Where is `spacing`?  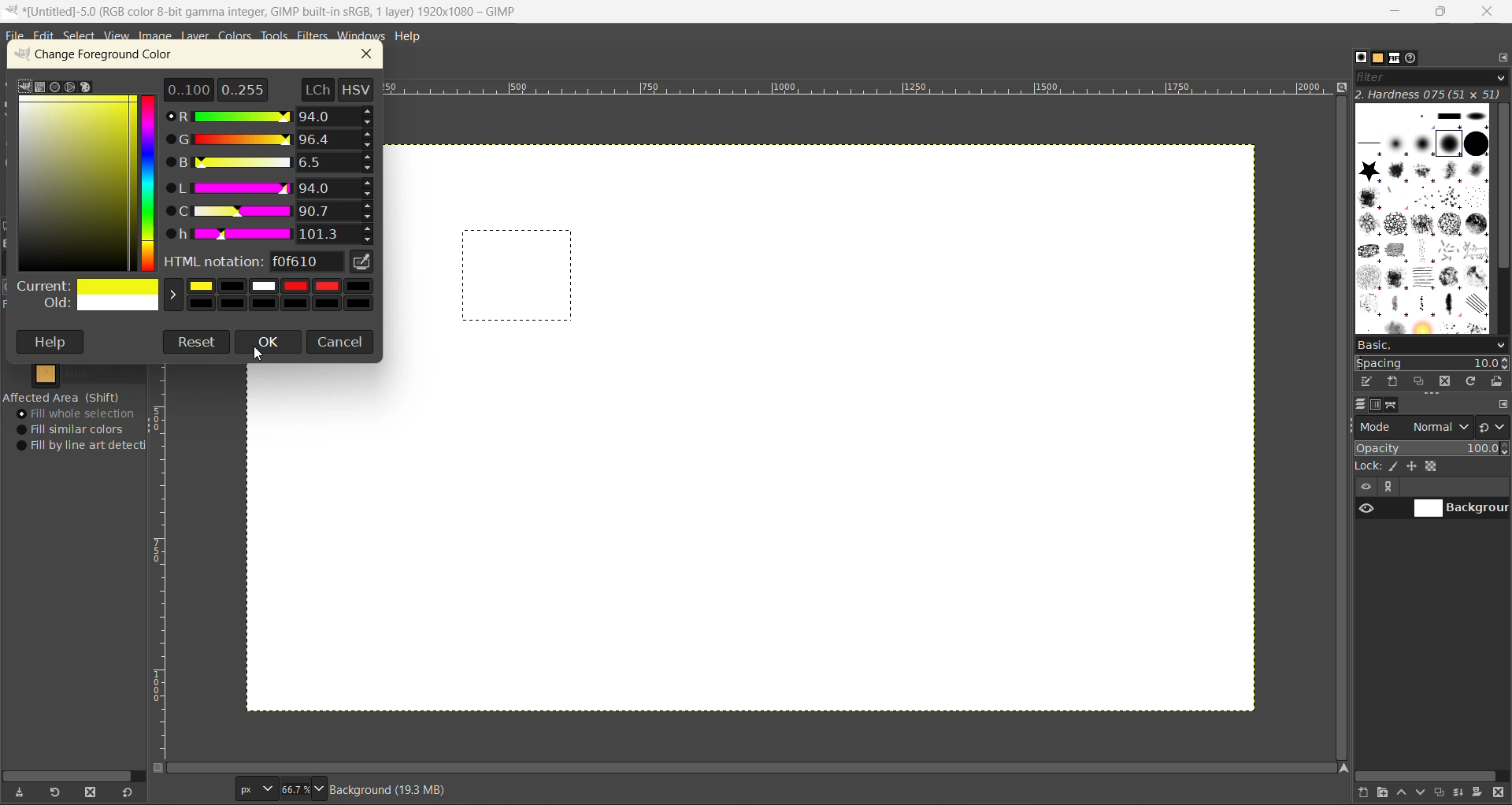 spacing is located at coordinates (1432, 361).